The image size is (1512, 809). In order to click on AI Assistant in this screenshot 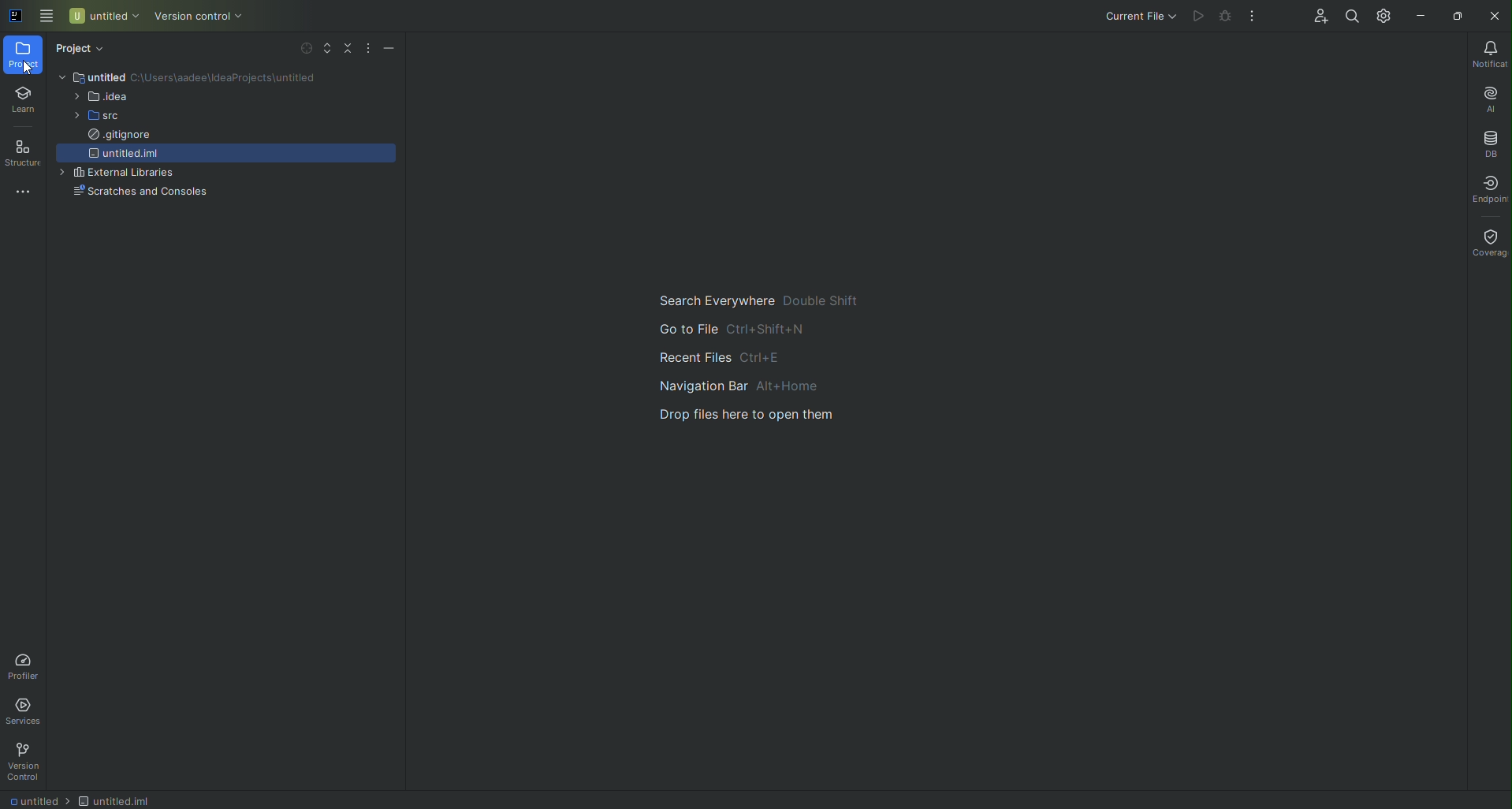, I will do `click(1488, 97)`.